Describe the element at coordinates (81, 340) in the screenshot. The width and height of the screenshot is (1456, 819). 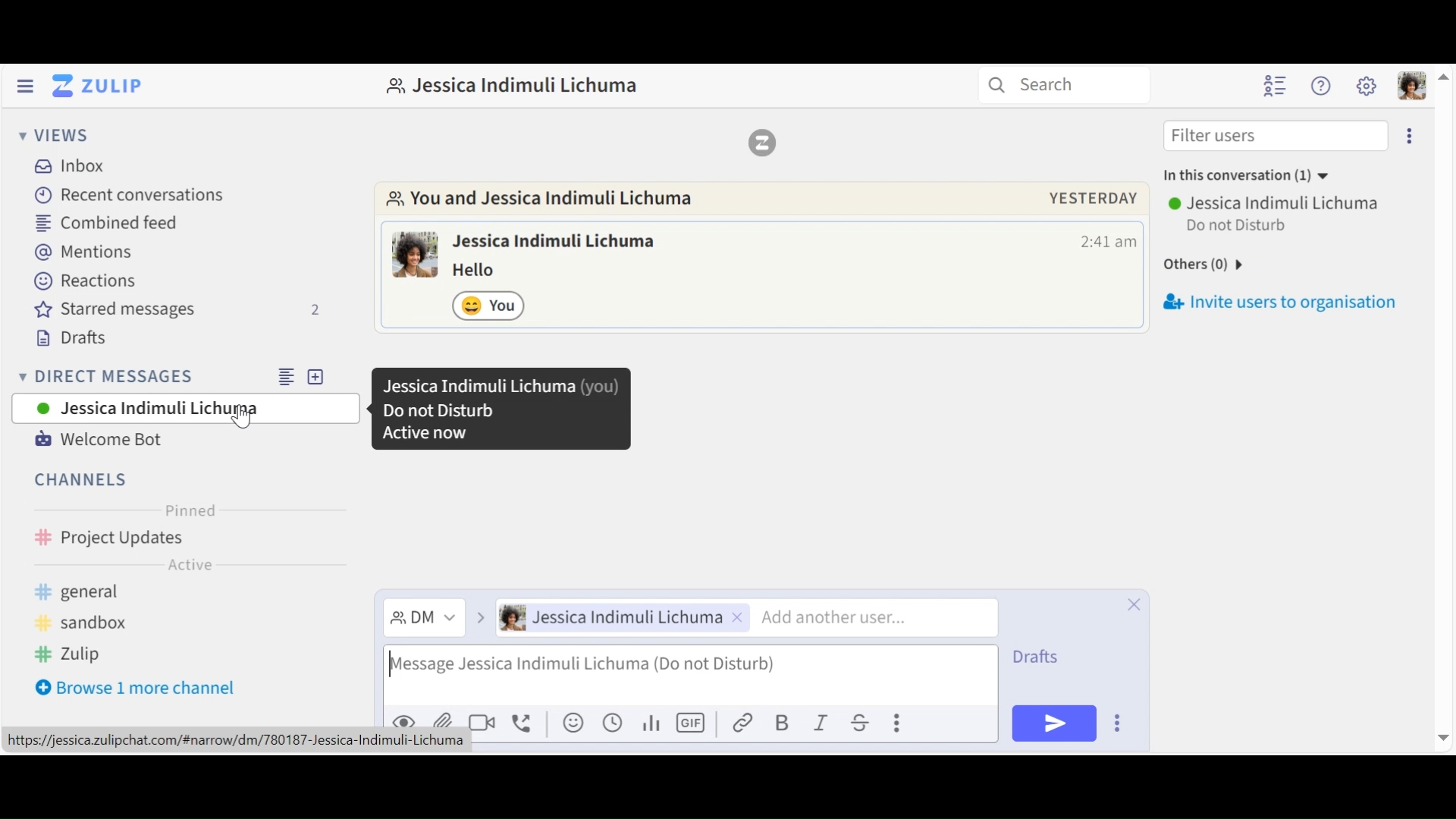
I see `Drafts` at that location.